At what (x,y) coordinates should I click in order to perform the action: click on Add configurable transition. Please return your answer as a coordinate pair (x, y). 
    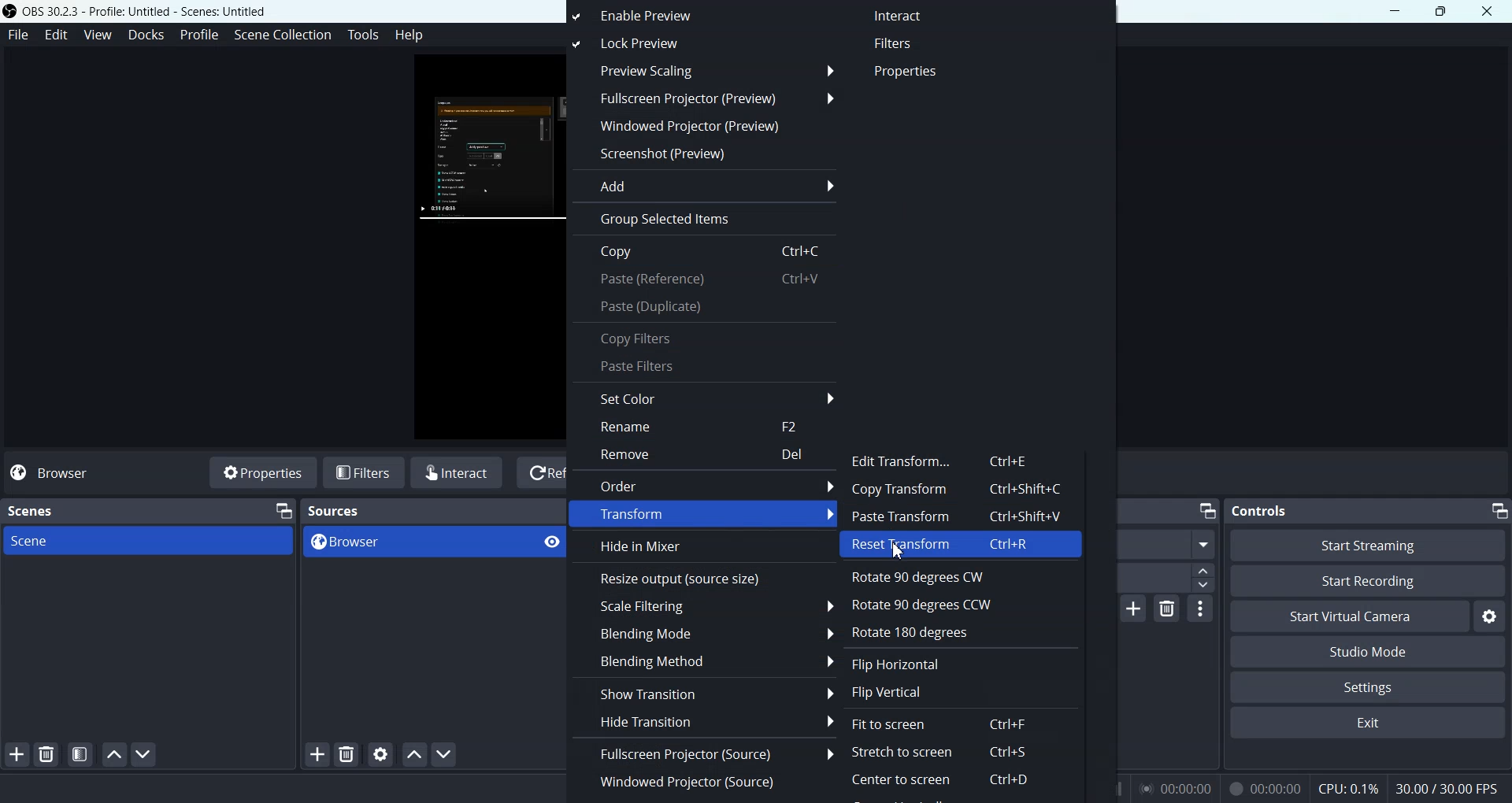
    Looking at the image, I should click on (1134, 609).